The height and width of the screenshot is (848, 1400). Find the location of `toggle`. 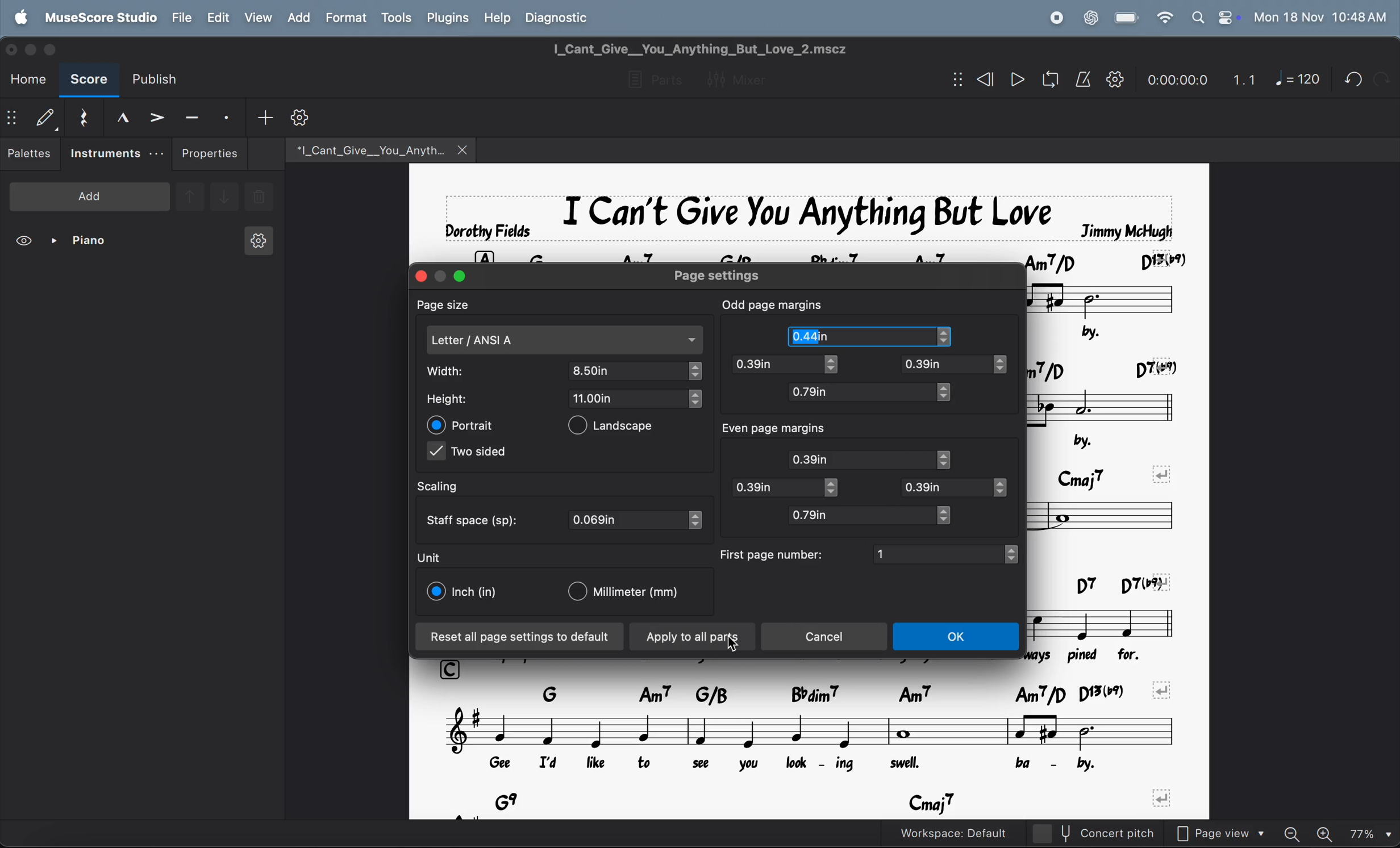

toggle is located at coordinates (946, 392).